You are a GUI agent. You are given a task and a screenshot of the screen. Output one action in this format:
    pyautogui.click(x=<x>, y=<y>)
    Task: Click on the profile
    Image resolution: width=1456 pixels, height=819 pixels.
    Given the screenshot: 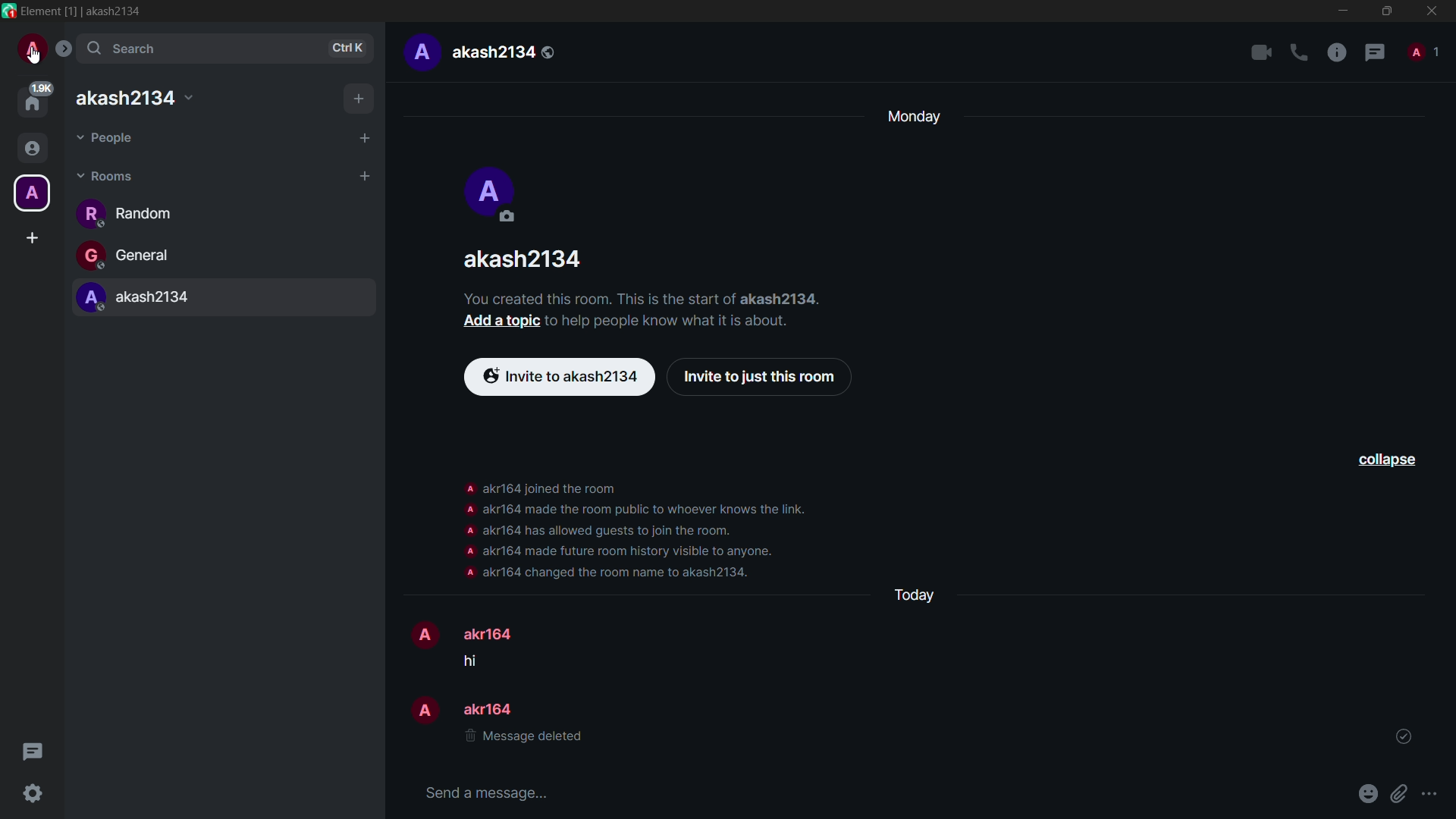 What is the action you would take?
    pyautogui.click(x=420, y=52)
    